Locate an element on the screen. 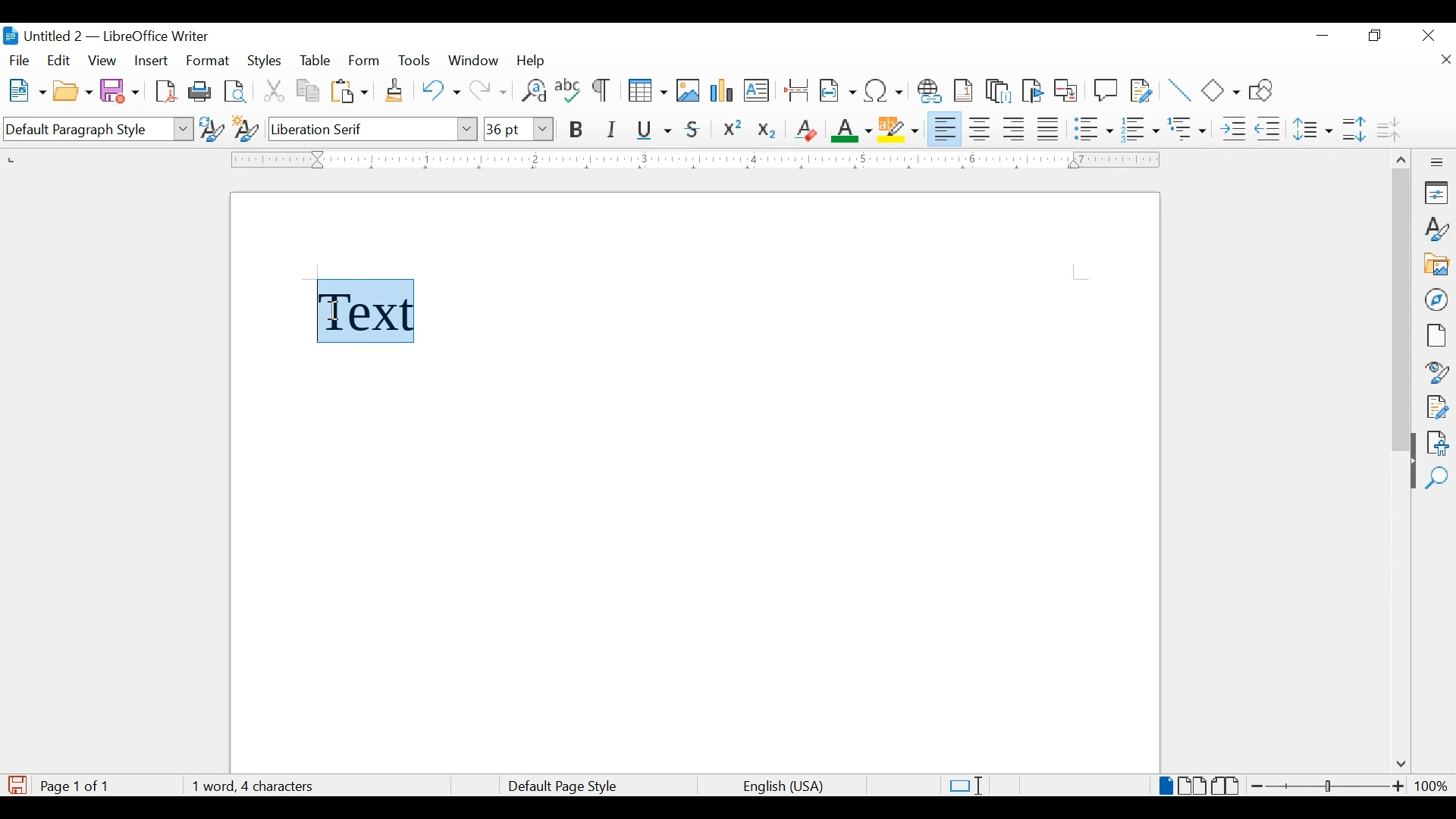 This screenshot has height=819, width=1456. increase paragraph spacing is located at coordinates (1354, 129).